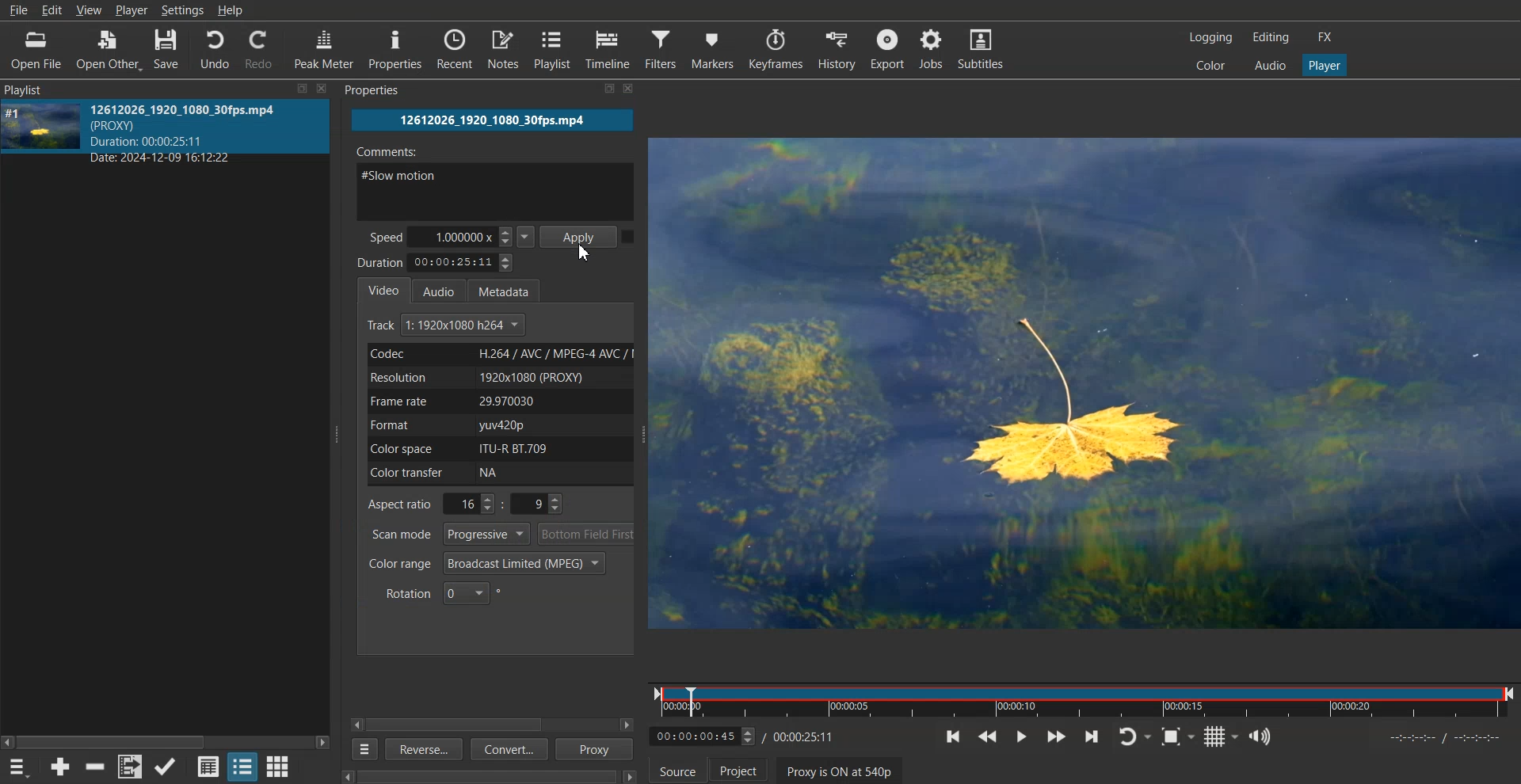 The width and height of the screenshot is (1521, 784). I want to click on Notes, so click(503, 49).